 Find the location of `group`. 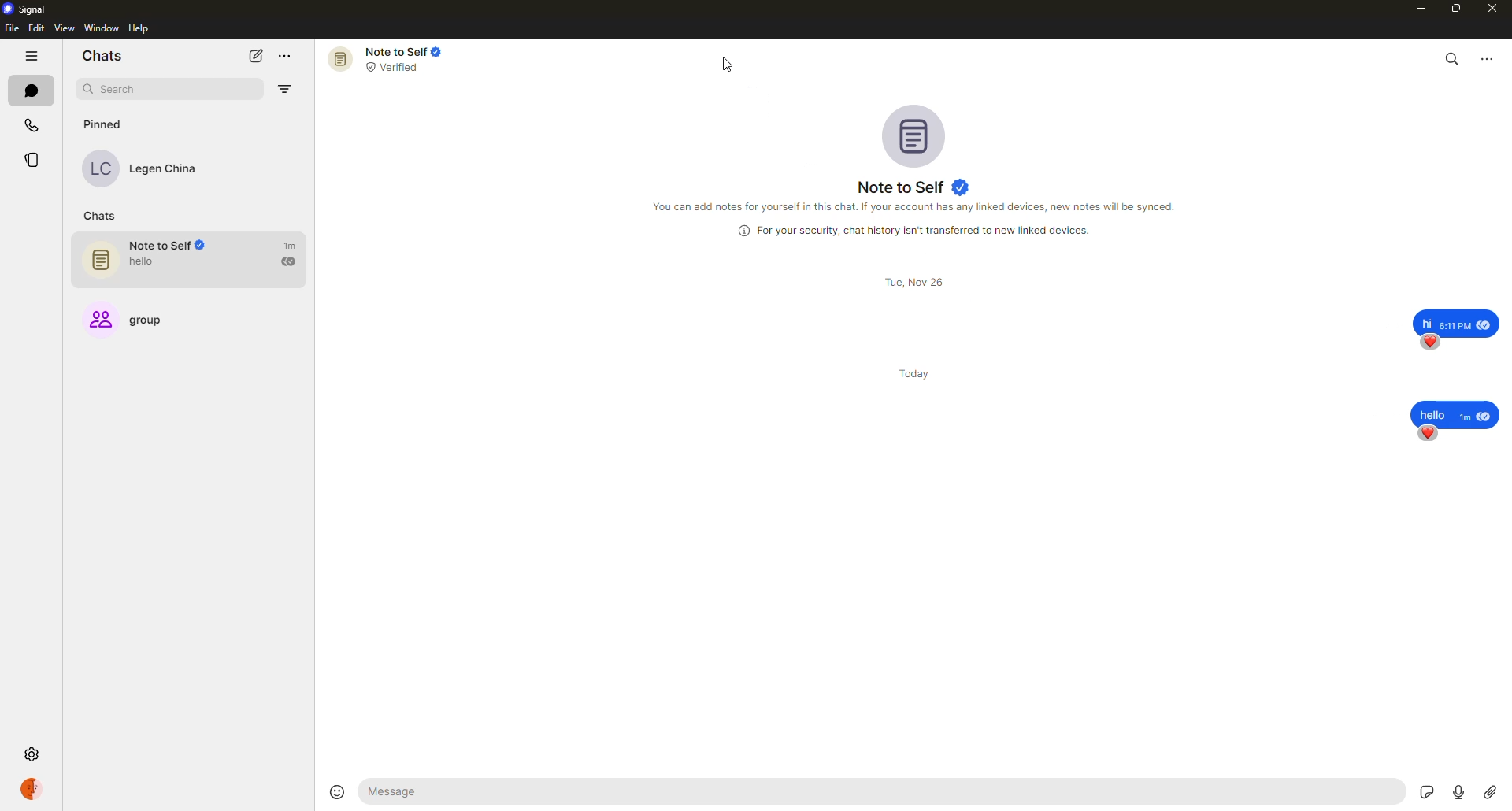

group is located at coordinates (134, 314).